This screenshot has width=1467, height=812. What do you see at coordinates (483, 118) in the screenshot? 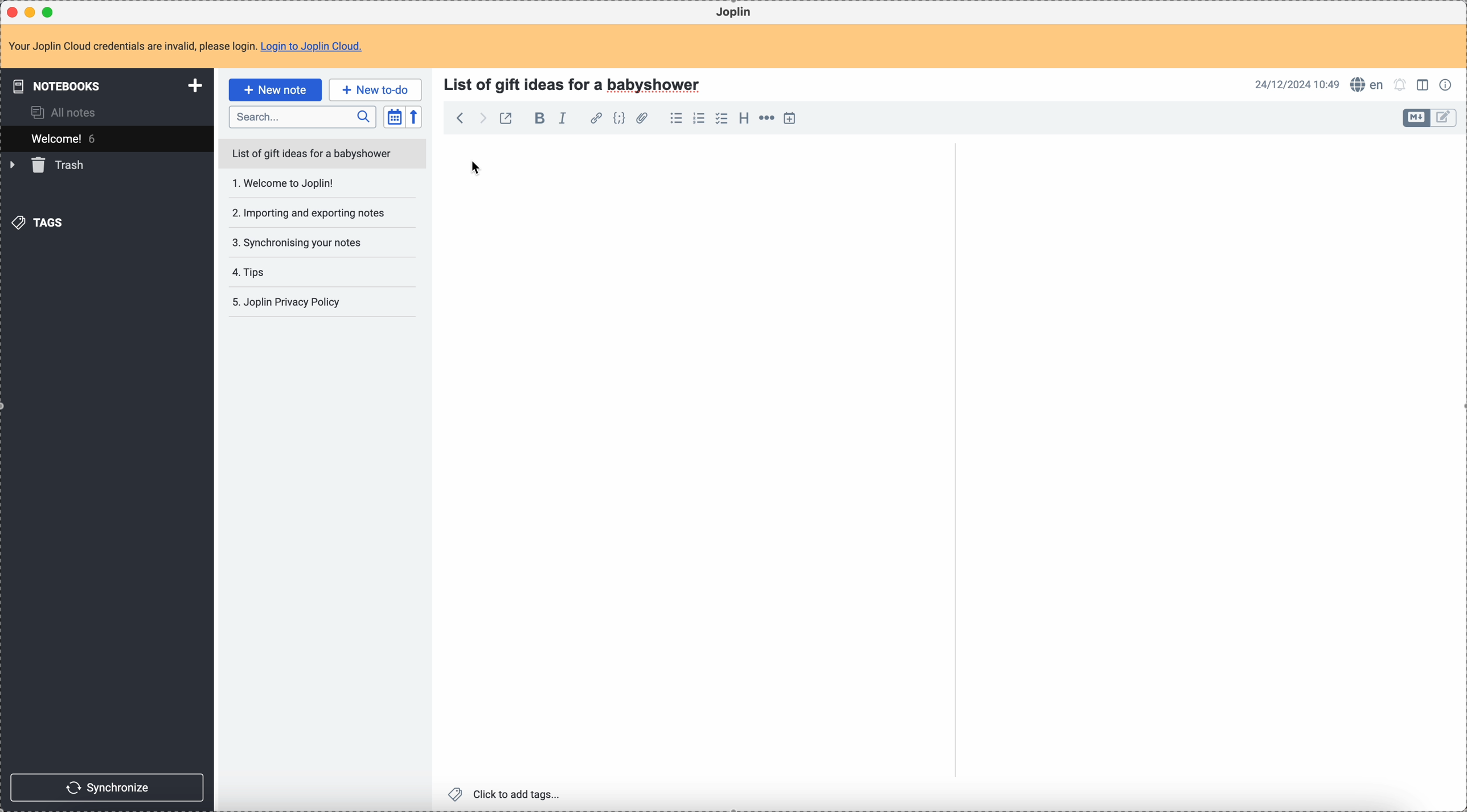
I see `foward` at bounding box center [483, 118].